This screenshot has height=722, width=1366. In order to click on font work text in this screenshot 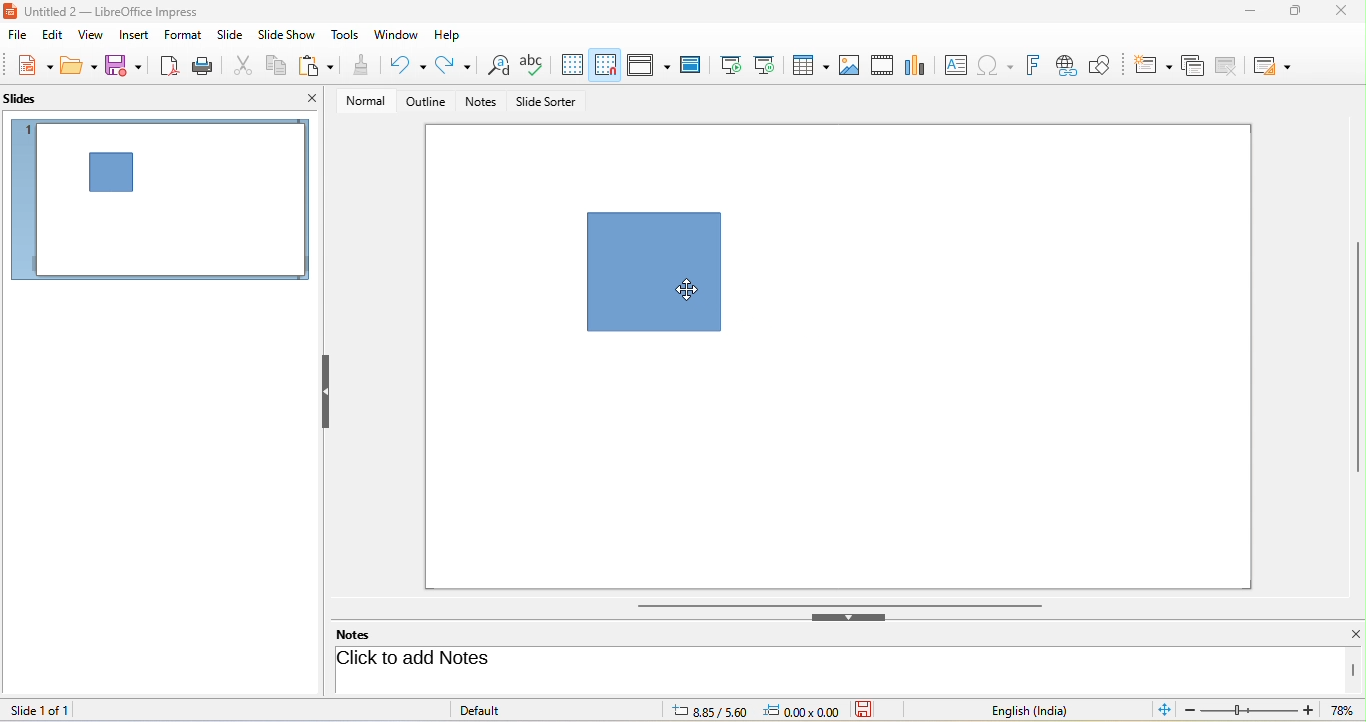, I will do `click(1036, 63)`.